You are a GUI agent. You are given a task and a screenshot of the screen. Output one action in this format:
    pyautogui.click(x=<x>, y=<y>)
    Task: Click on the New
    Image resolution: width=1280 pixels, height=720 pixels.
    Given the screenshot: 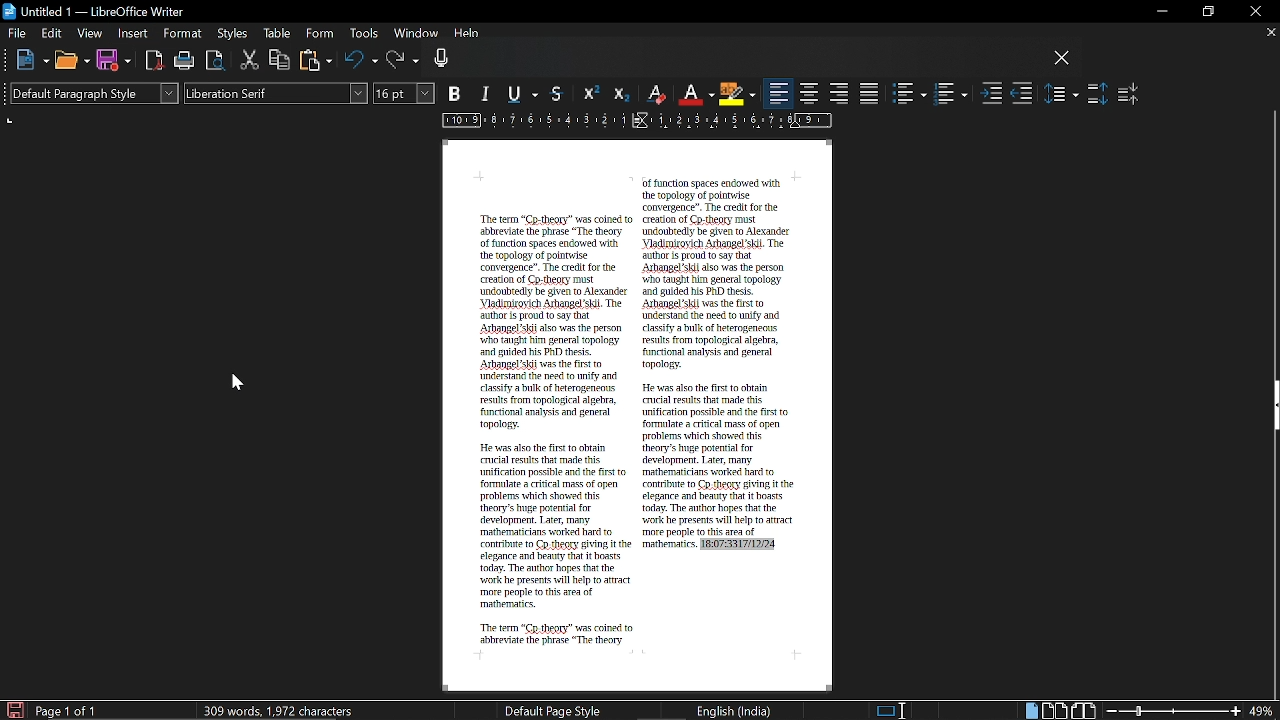 What is the action you would take?
    pyautogui.click(x=32, y=61)
    